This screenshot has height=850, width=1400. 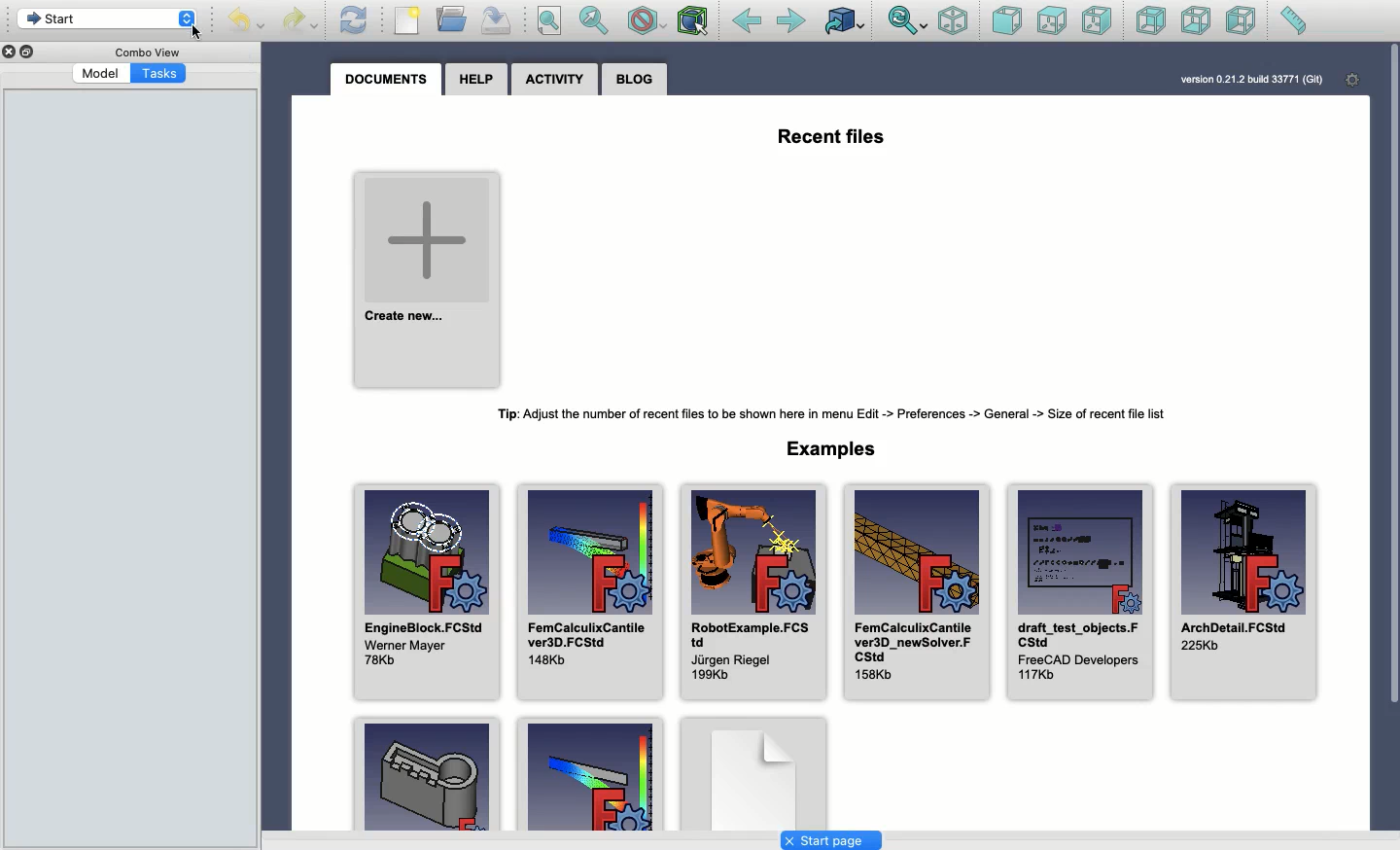 I want to click on Combo View, so click(x=147, y=52).